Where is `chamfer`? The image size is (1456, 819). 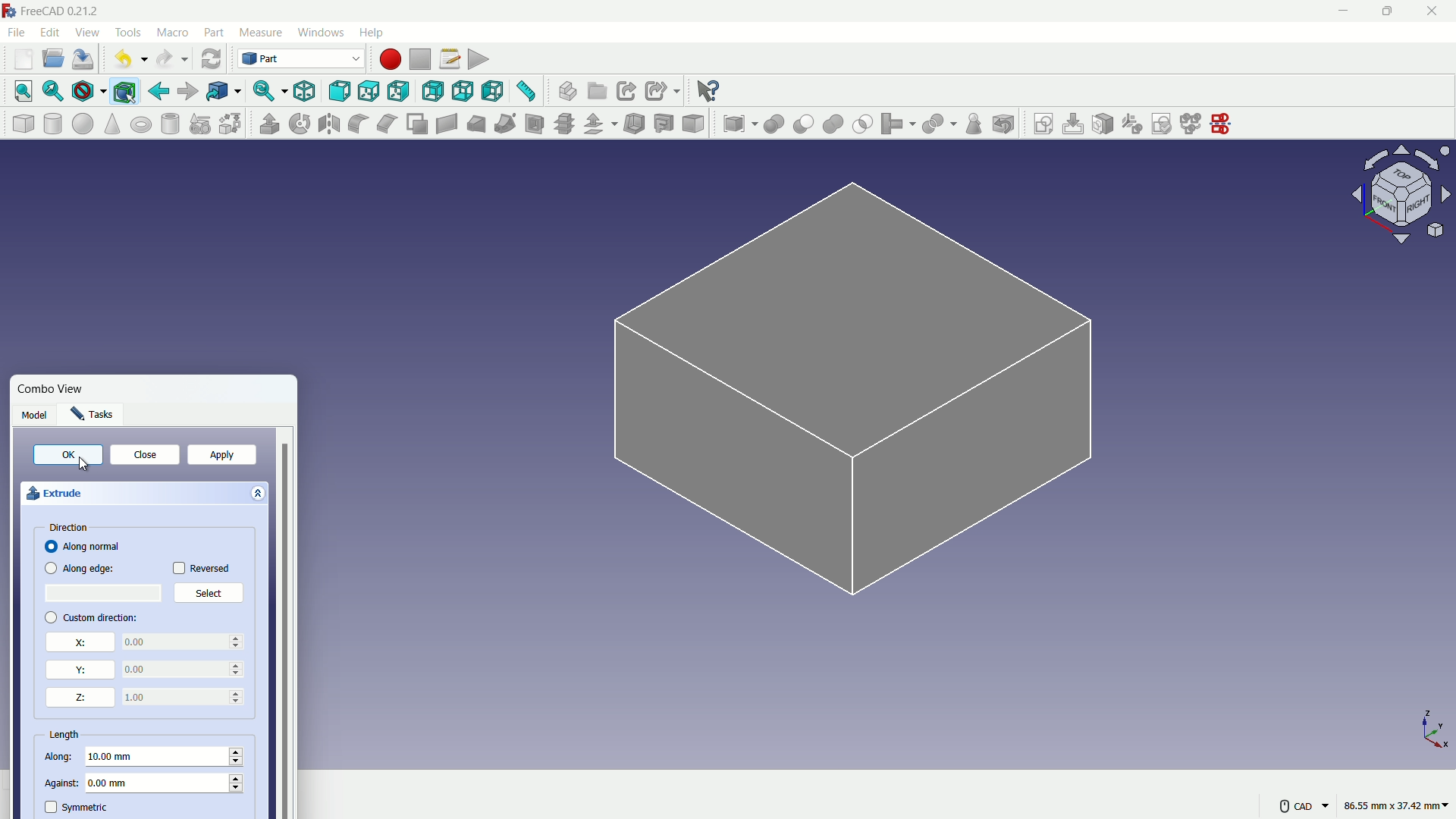 chamfer is located at coordinates (387, 124).